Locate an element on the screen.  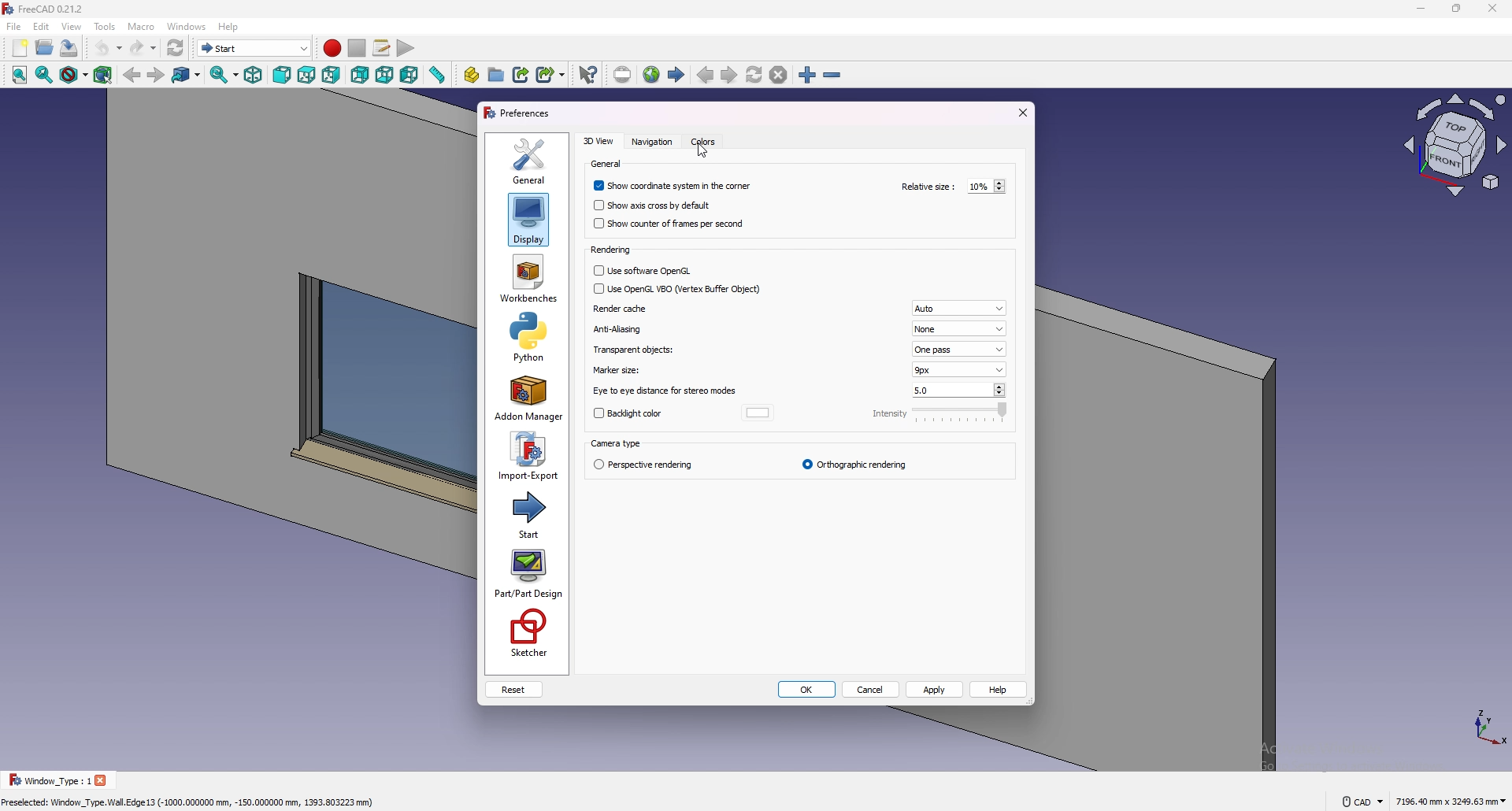
save is located at coordinates (69, 47).